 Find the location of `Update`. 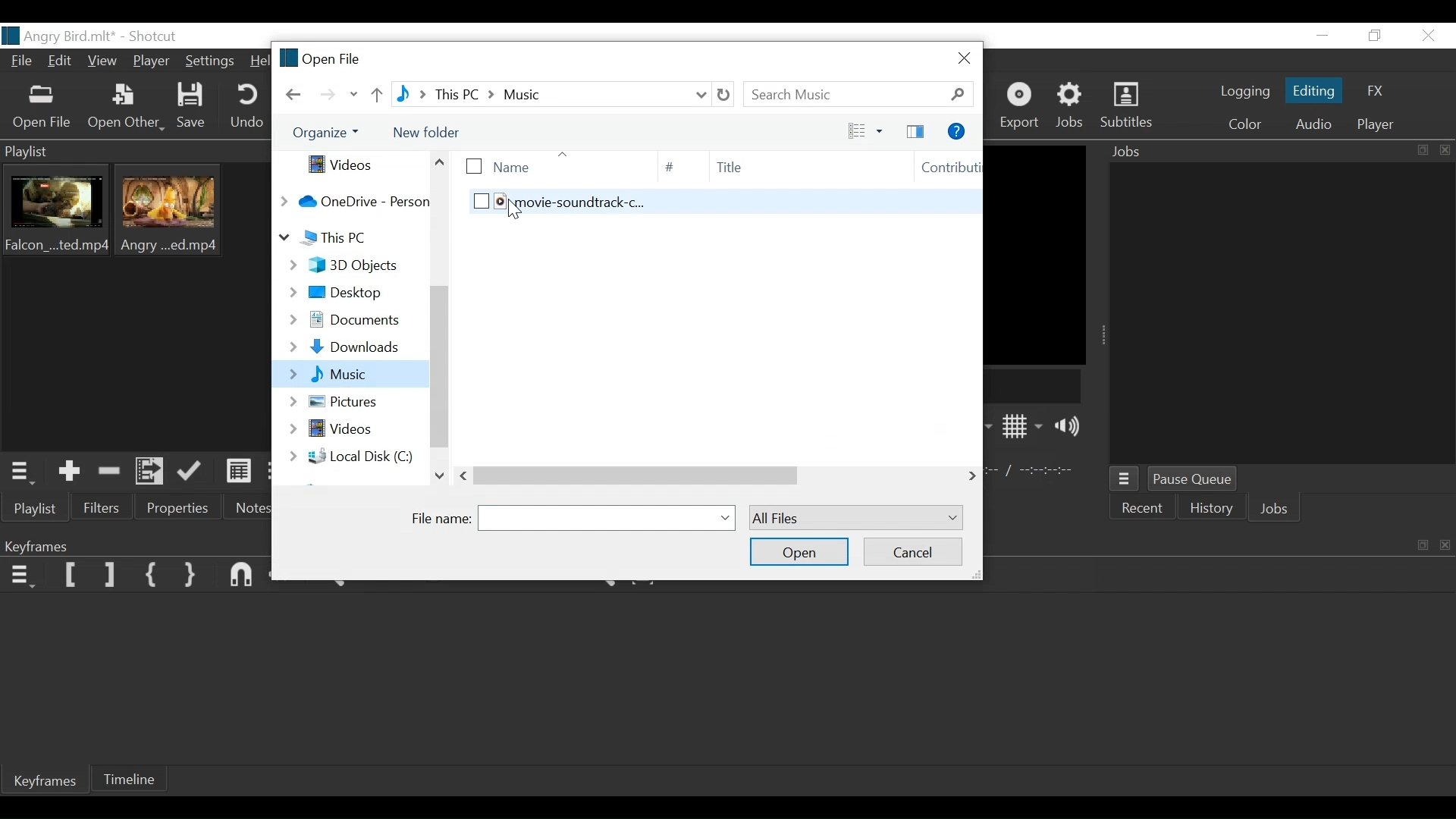

Update is located at coordinates (192, 475).